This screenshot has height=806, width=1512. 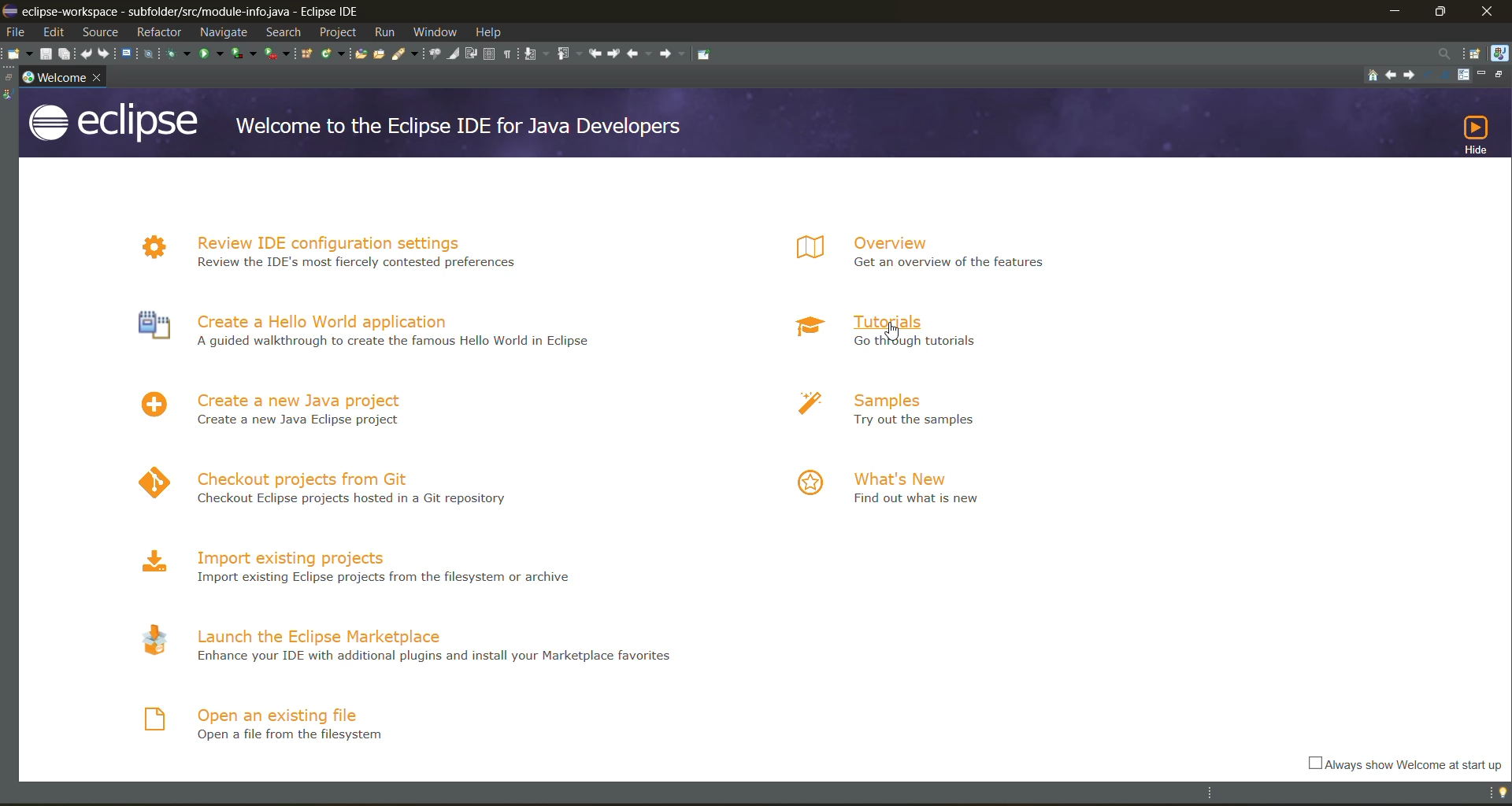 What do you see at coordinates (510, 55) in the screenshot?
I see `show whitespace characters` at bounding box center [510, 55].